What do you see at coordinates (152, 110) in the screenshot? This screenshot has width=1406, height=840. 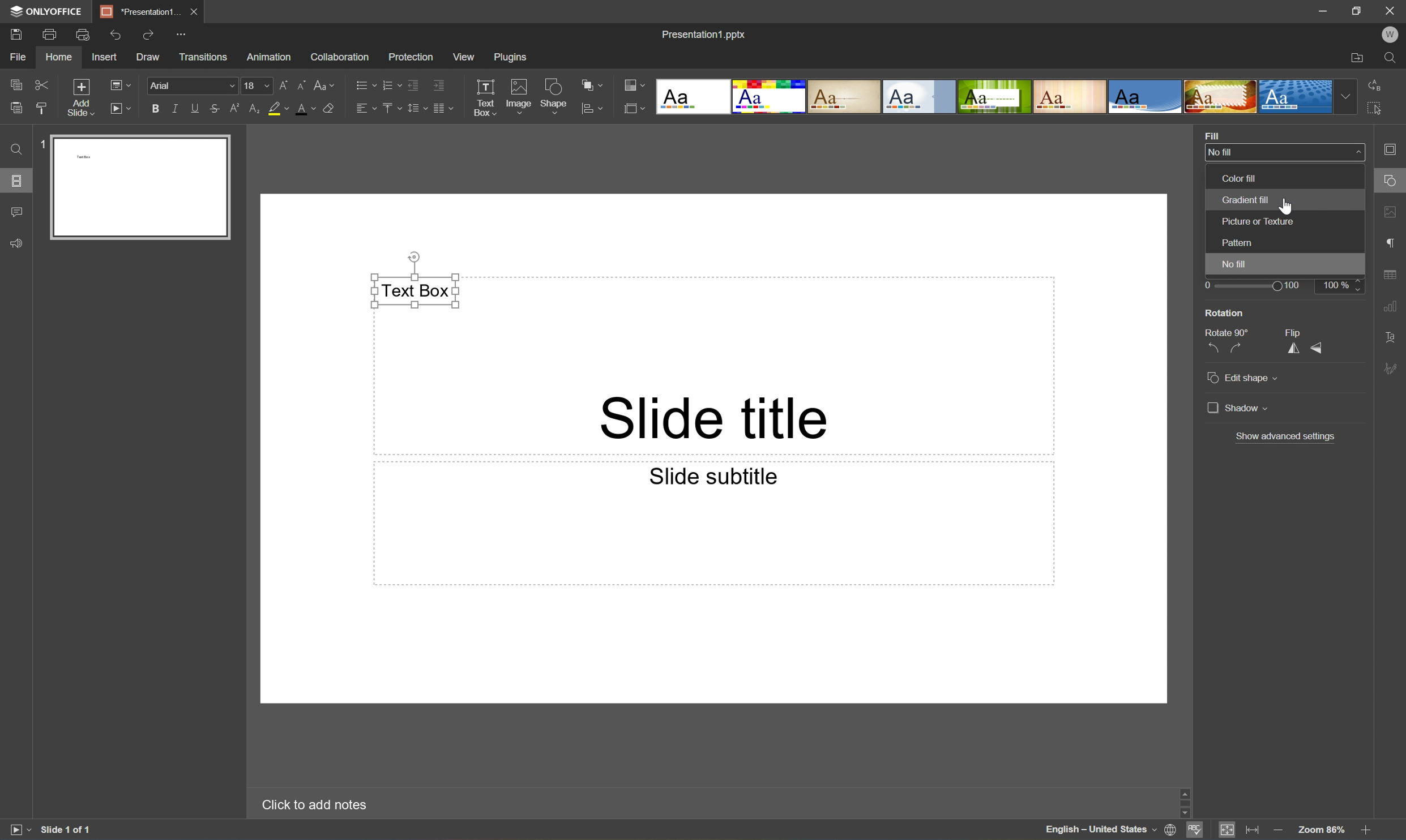 I see `Bold` at bounding box center [152, 110].